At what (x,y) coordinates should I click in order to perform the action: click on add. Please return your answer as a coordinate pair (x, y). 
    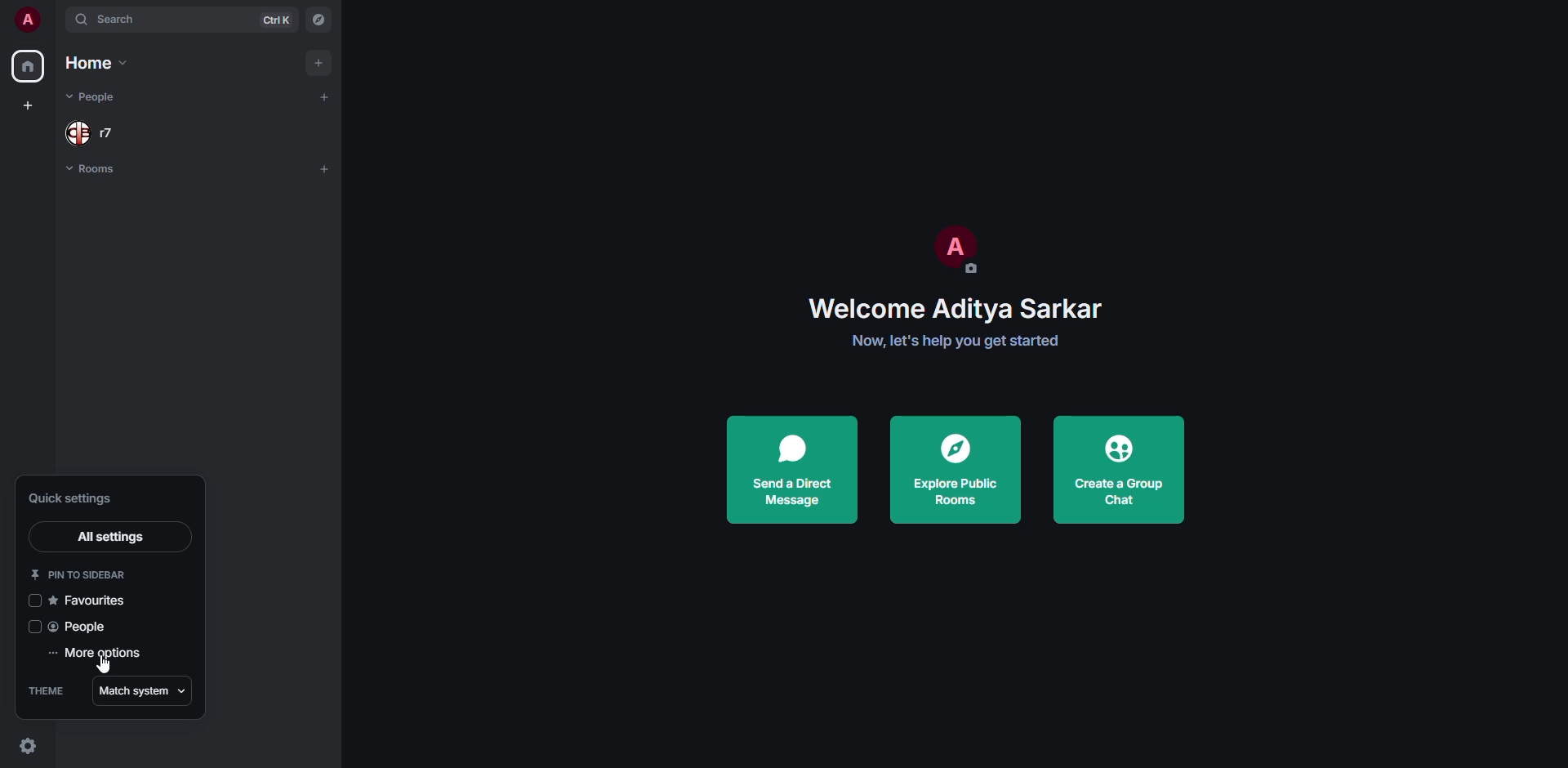
    Looking at the image, I should click on (321, 61).